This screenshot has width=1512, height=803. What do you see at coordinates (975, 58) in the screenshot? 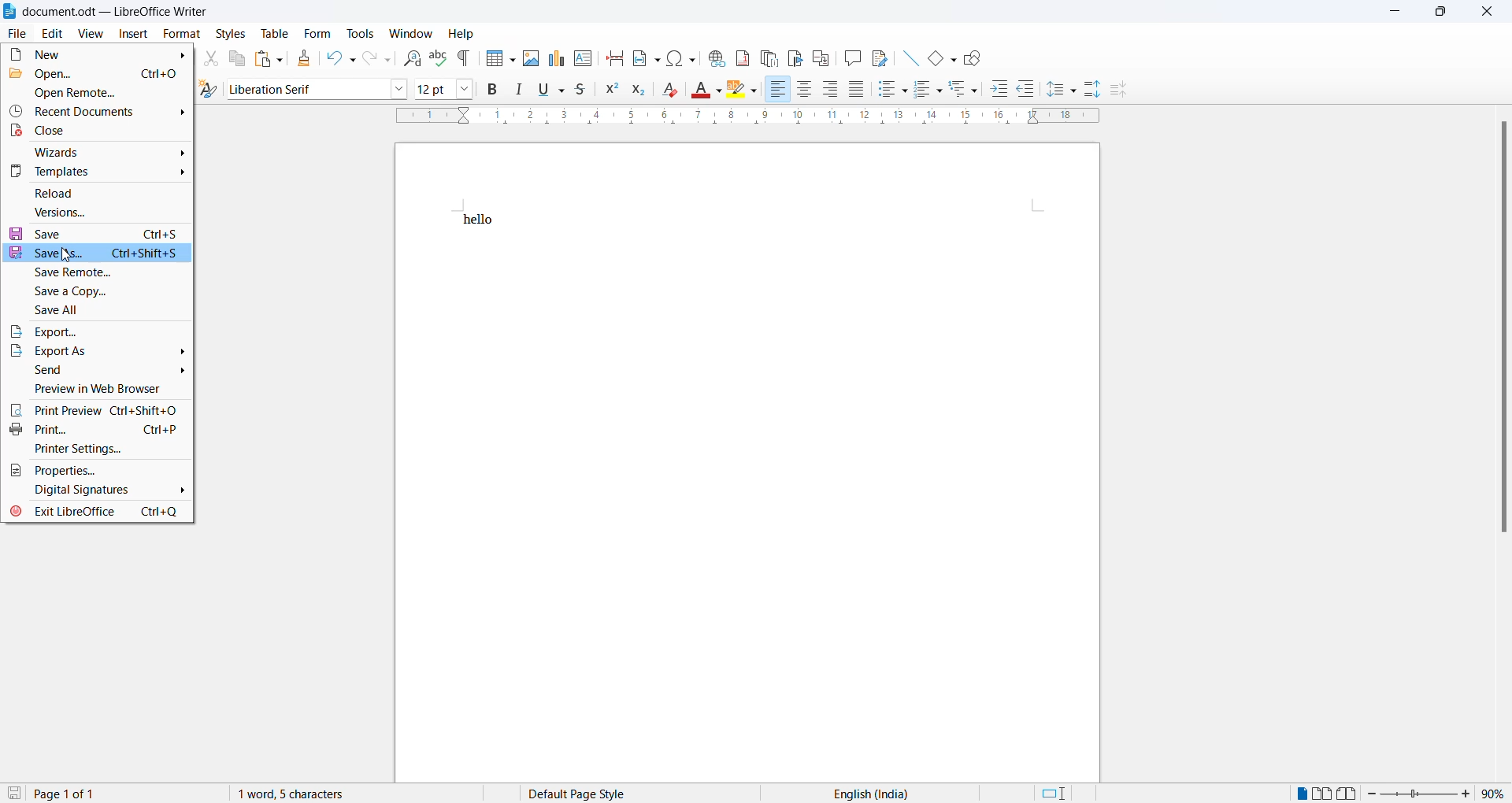
I see `Show draw function` at bounding box center [975, 58].